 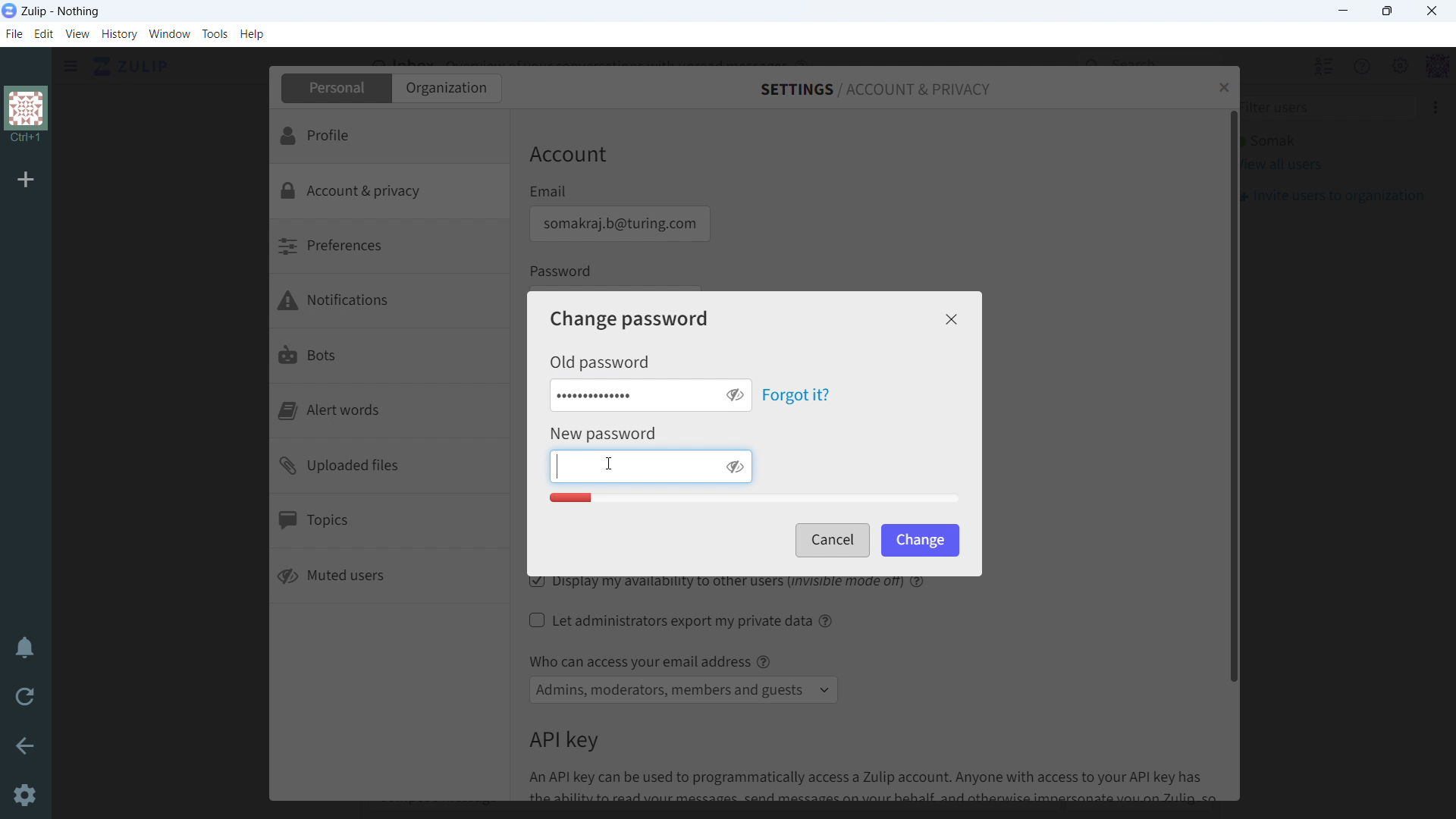 What do you see at coordinates (61, 11) in the screenshot?
I see `title` at bounding box center [61, 11].